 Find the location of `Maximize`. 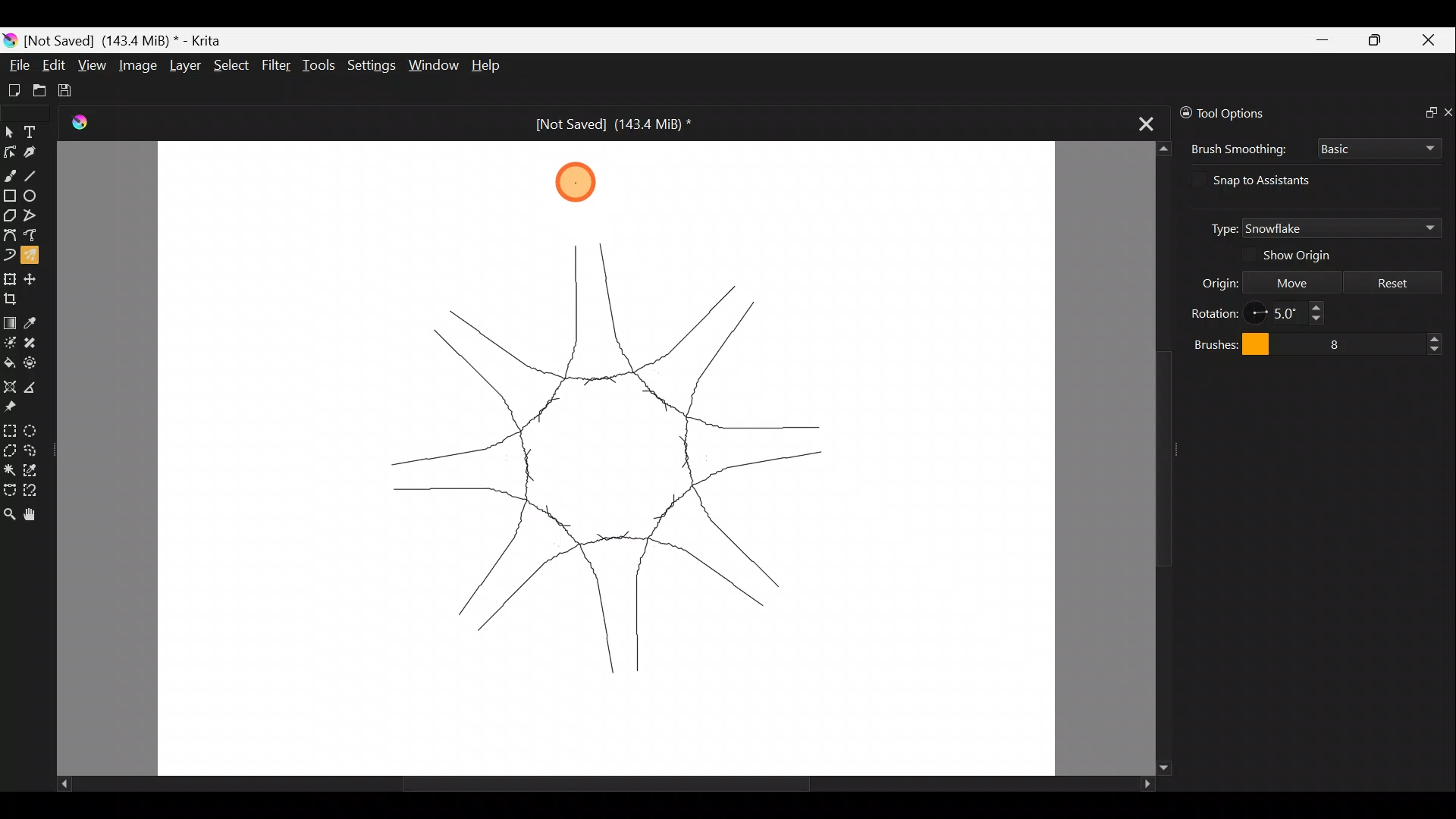

Maximize is located at coordinates (1377, 39).